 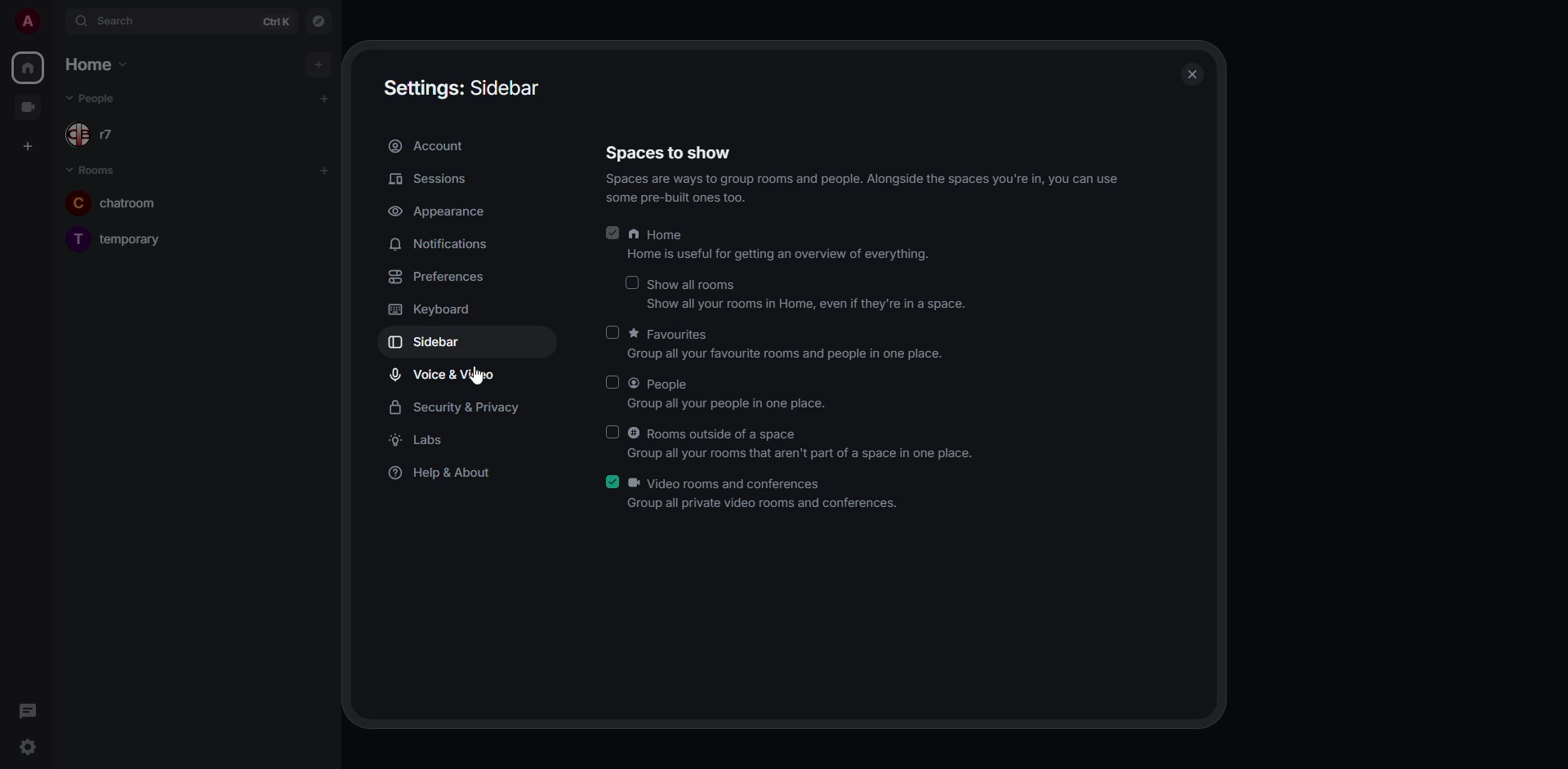 I want to click on video room, so click(x=29, y=106).